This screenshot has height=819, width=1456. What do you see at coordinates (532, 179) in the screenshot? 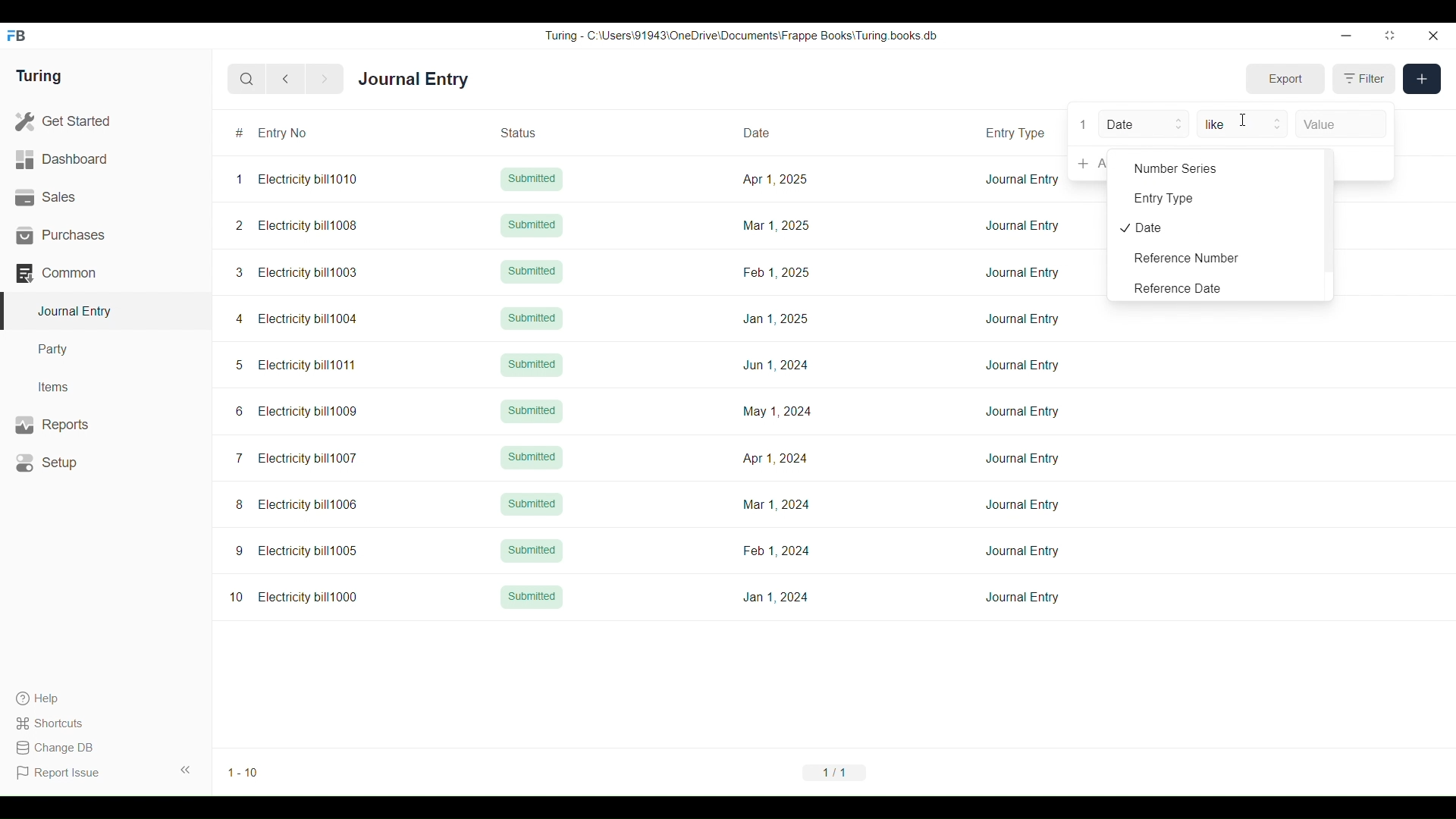
I see `Submitted` at bounding box center [532, 179].